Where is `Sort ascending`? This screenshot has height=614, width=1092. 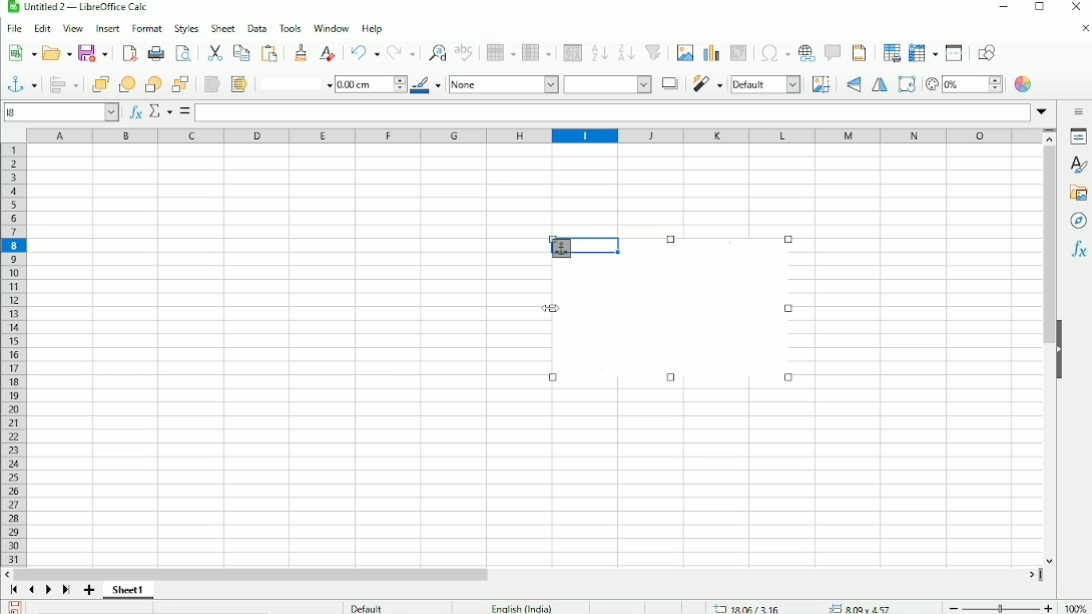
Sort ascending is located at coordinates (599, 52).